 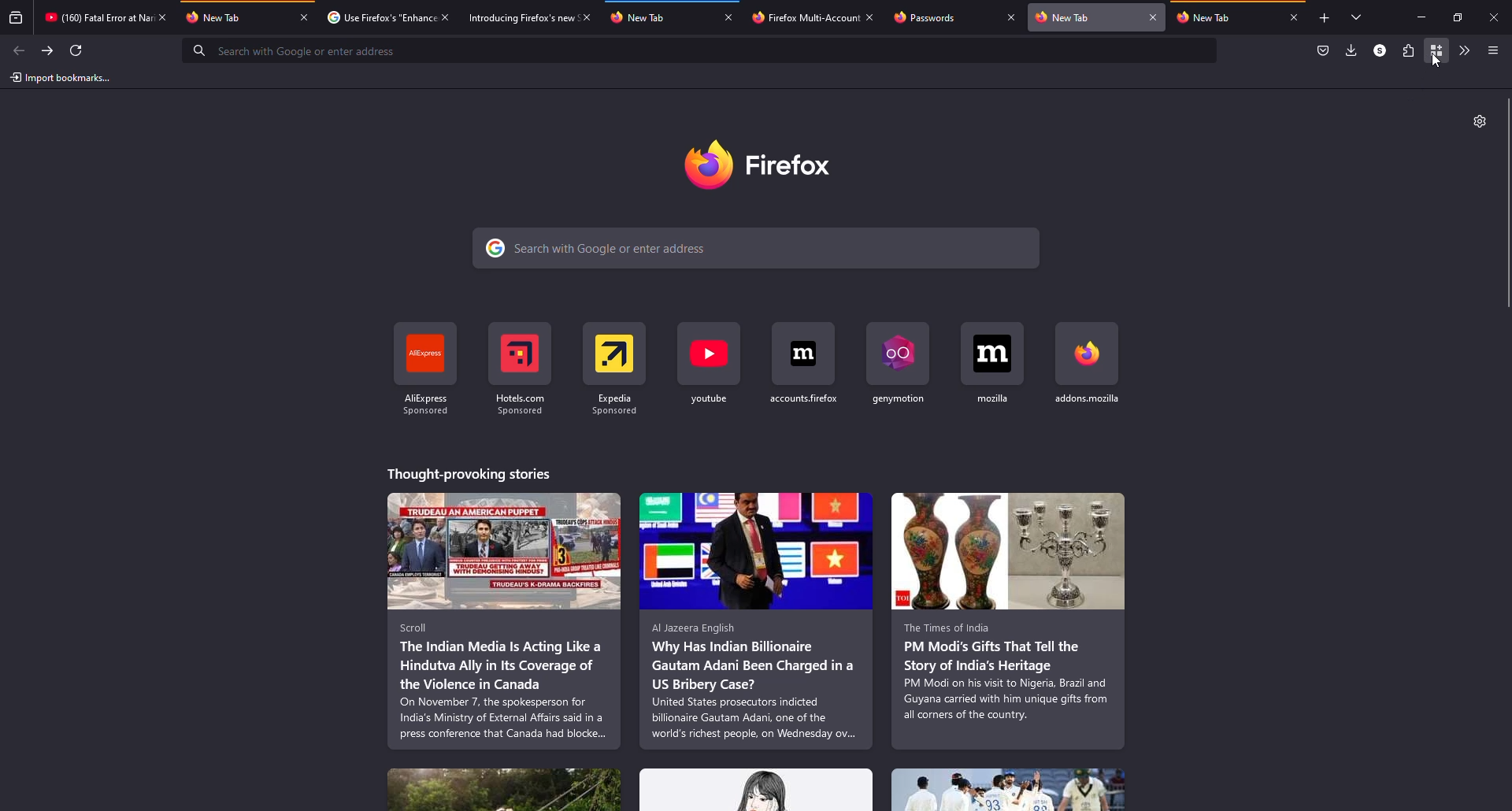 I want to click on save to packet, so click(x=1321, y=50).